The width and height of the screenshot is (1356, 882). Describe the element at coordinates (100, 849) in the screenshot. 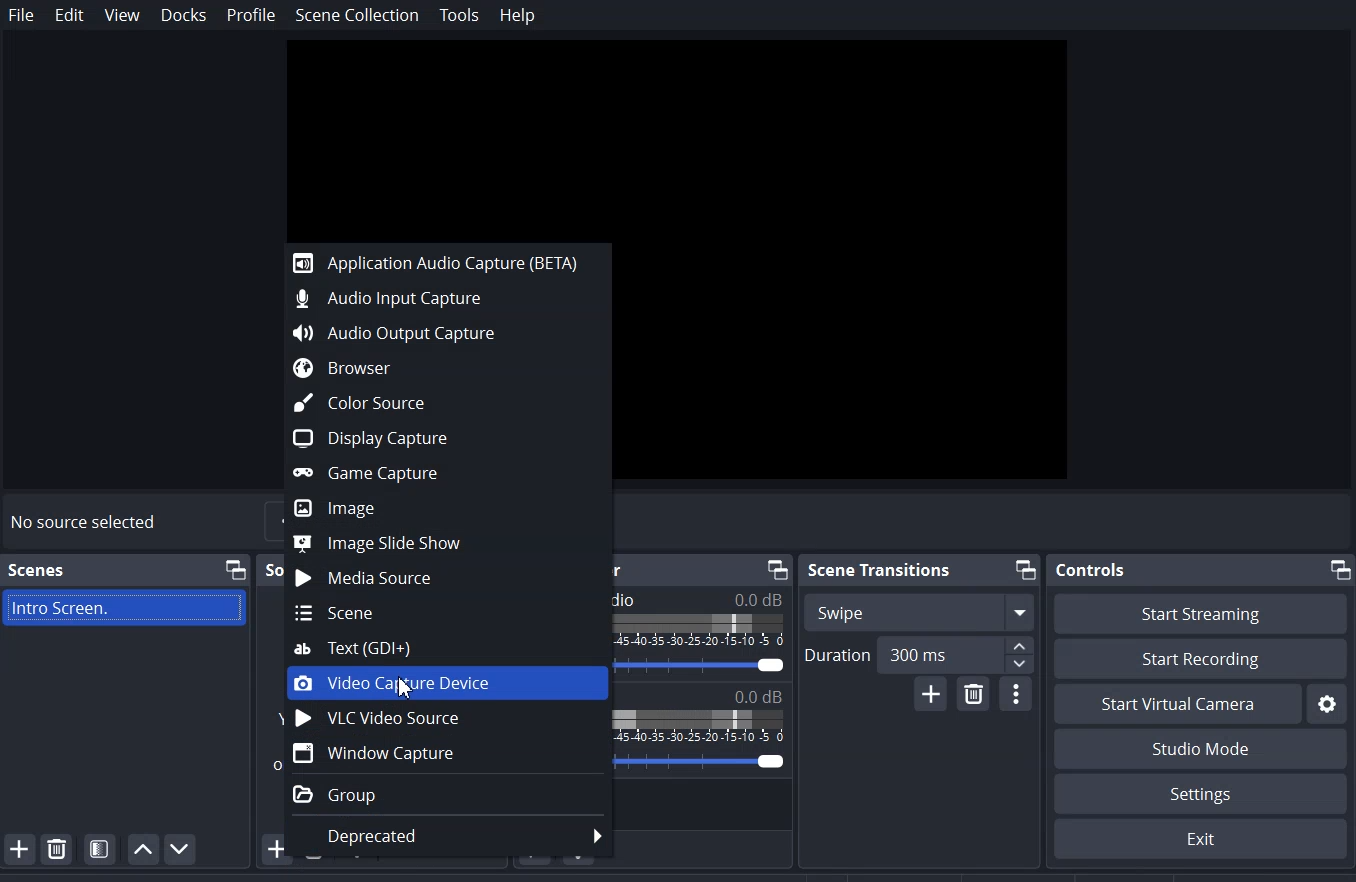

I see `Open scene filter` at that location.